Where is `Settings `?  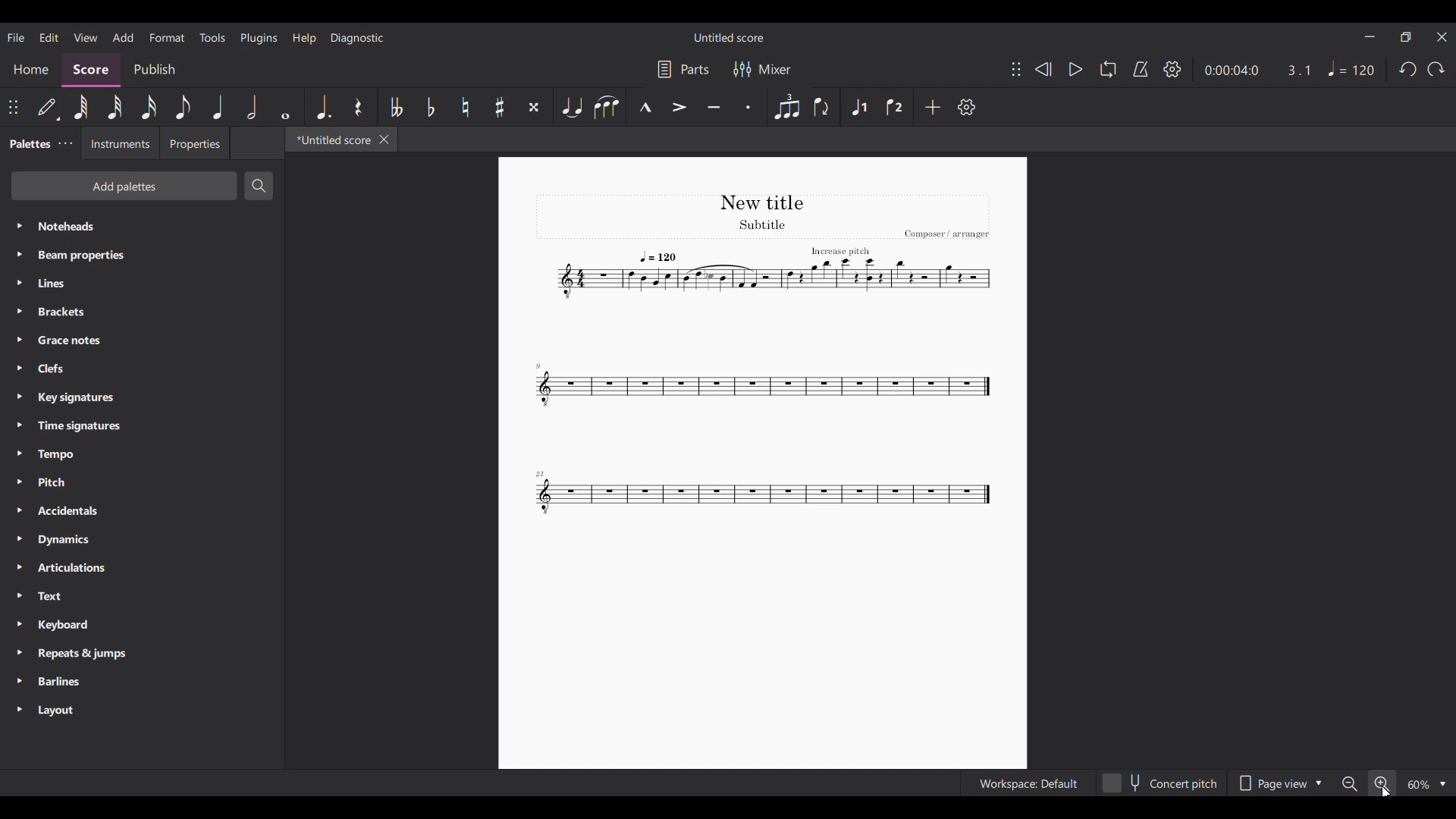
Settings  is located at coordinates (1172, 69).